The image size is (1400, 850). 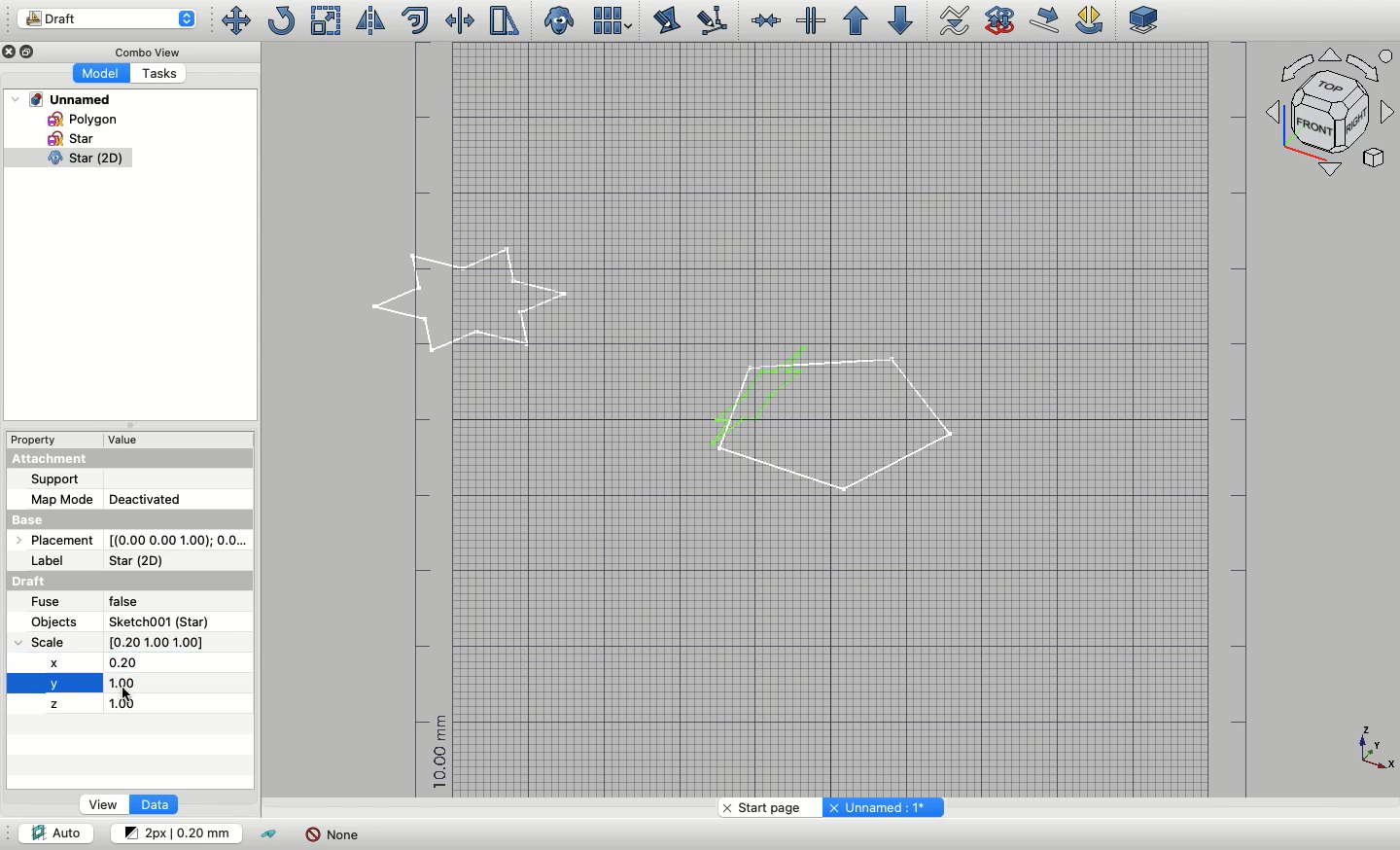 What do you see at coordinates (1145, 19) in the screenshot?
I see `Plane selector` at bounding box center [1145, 19].